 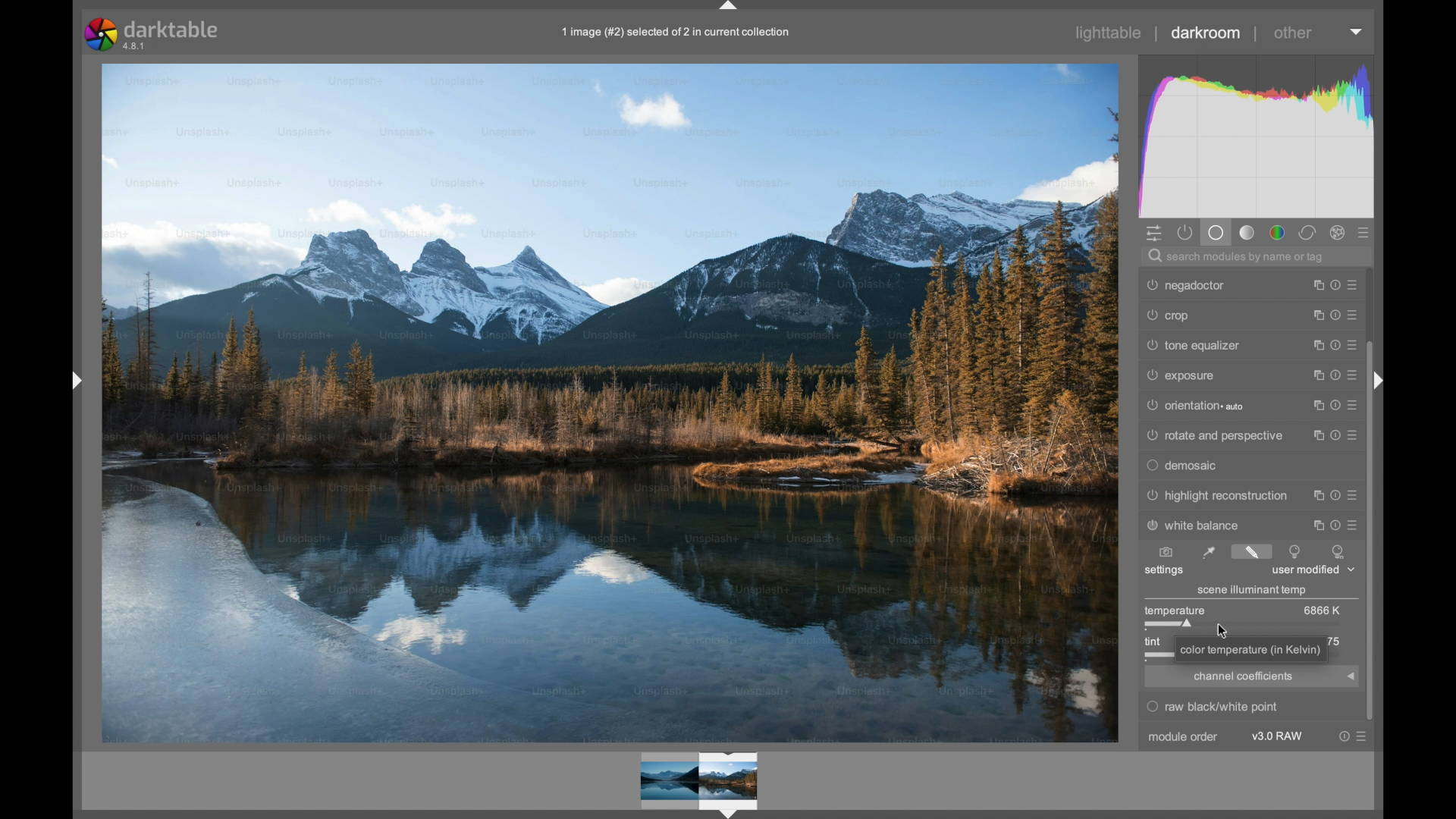 I want to click on histogram, so click(x=1256, y=135).